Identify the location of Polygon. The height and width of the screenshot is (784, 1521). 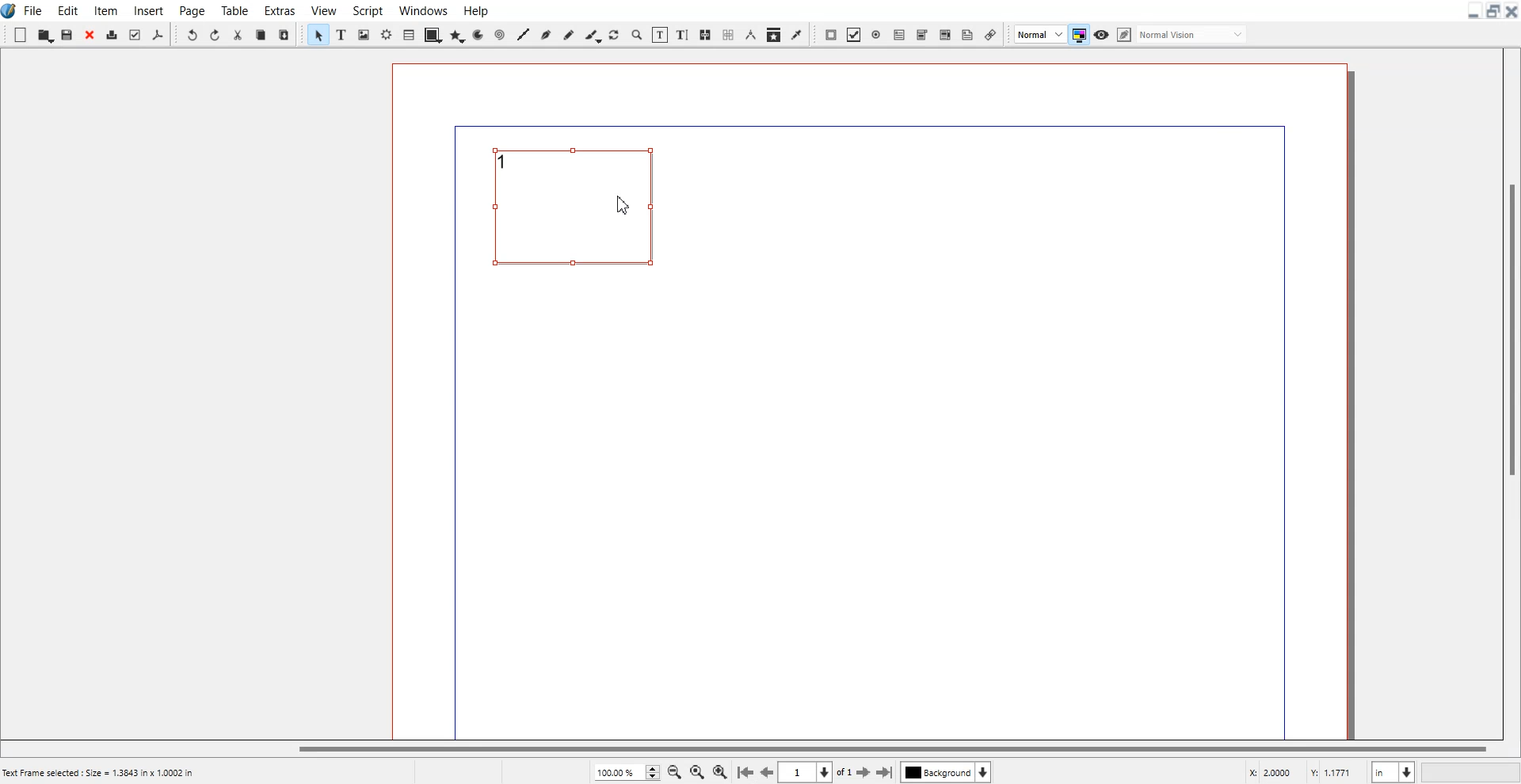
(457, 33).